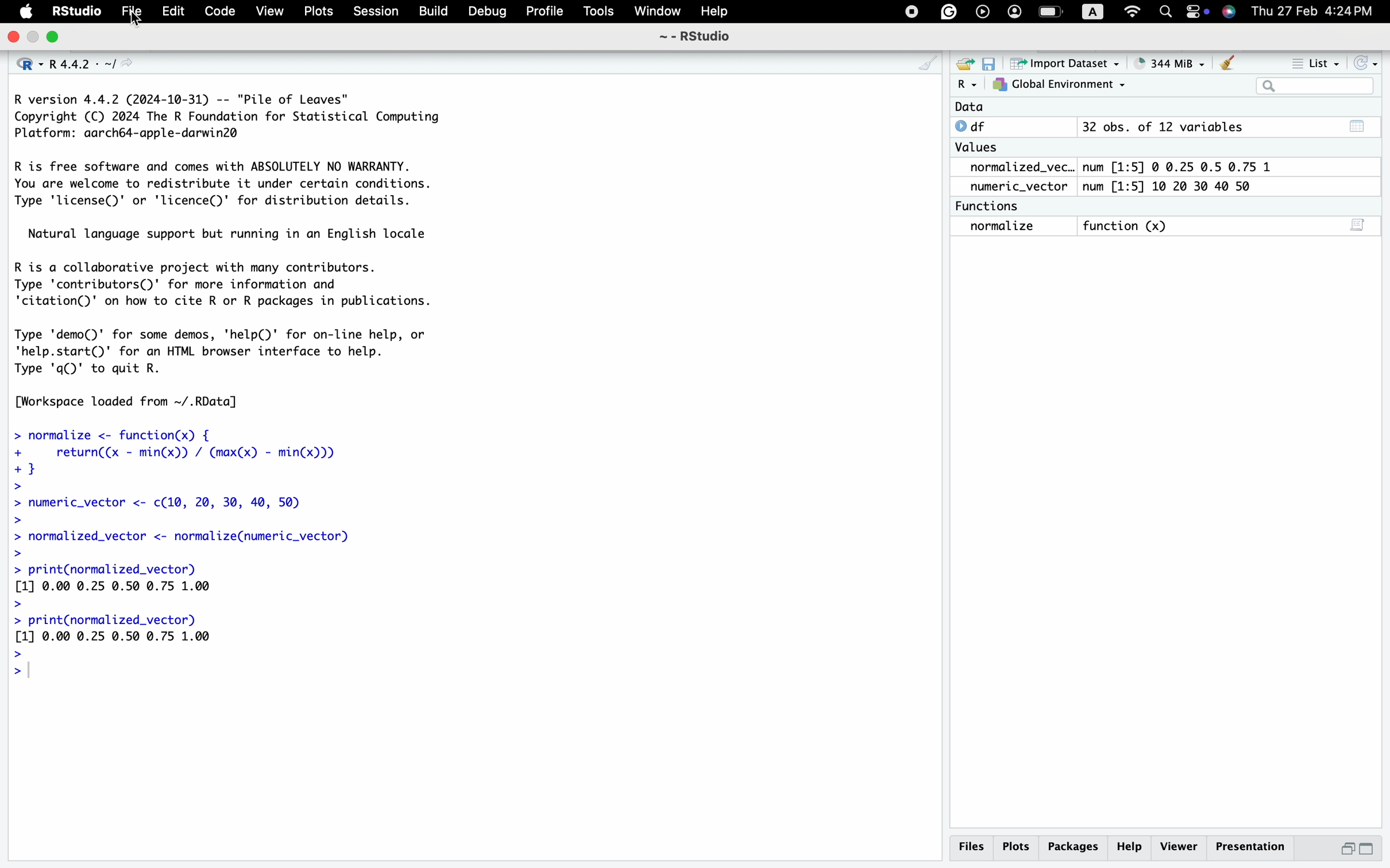 The height and width of the screenshot is (868, 1390). I want to click on Thu 27 Feb 4:24PM, so click(1312, 11).